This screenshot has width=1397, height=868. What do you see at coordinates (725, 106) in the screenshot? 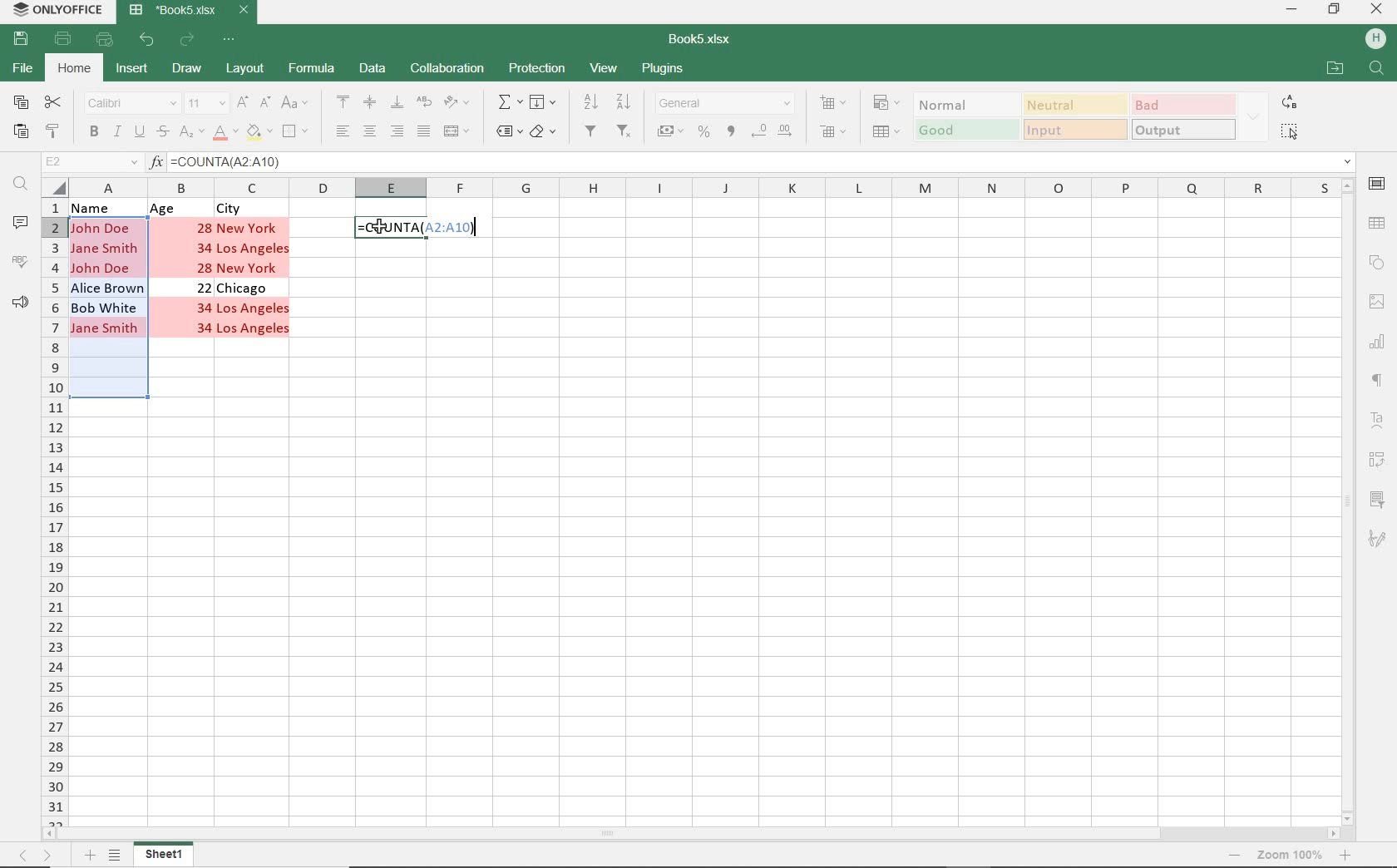
I see `NUMBER FORMAT` at bounding box center [725, 106].